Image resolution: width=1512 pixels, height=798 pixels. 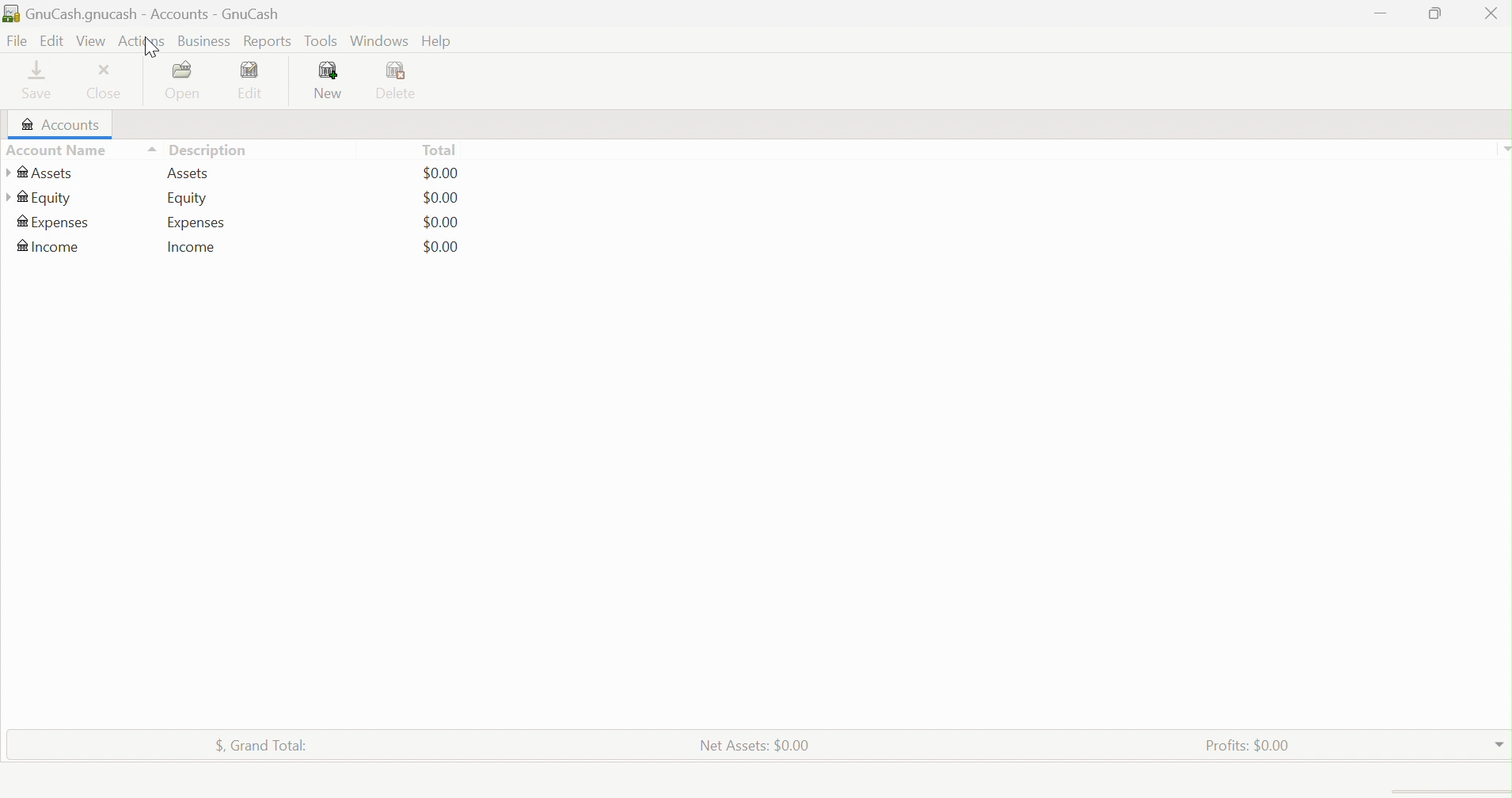 I want to click on Actions, so click(x=144, y=40).